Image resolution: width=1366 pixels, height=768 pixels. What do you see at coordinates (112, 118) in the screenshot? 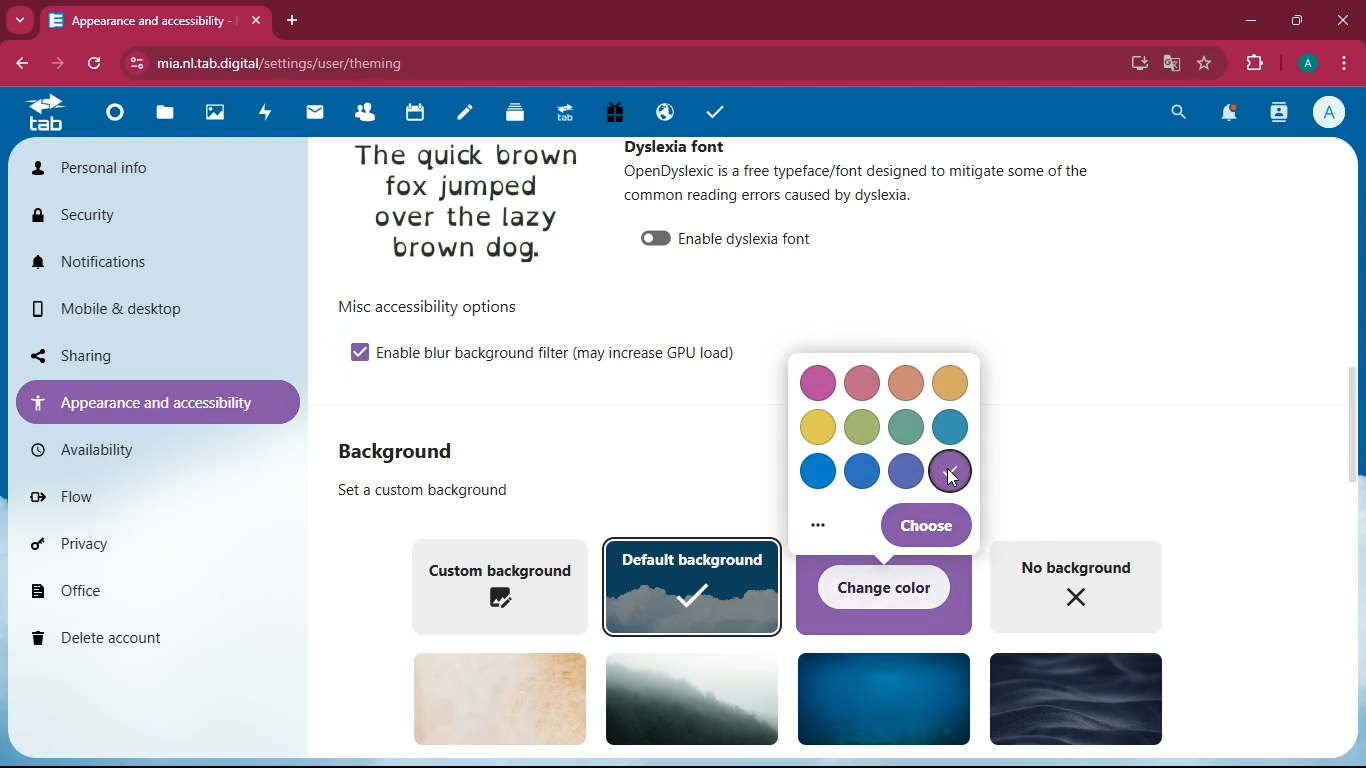
I see `home` at bounding box center [112, 118].